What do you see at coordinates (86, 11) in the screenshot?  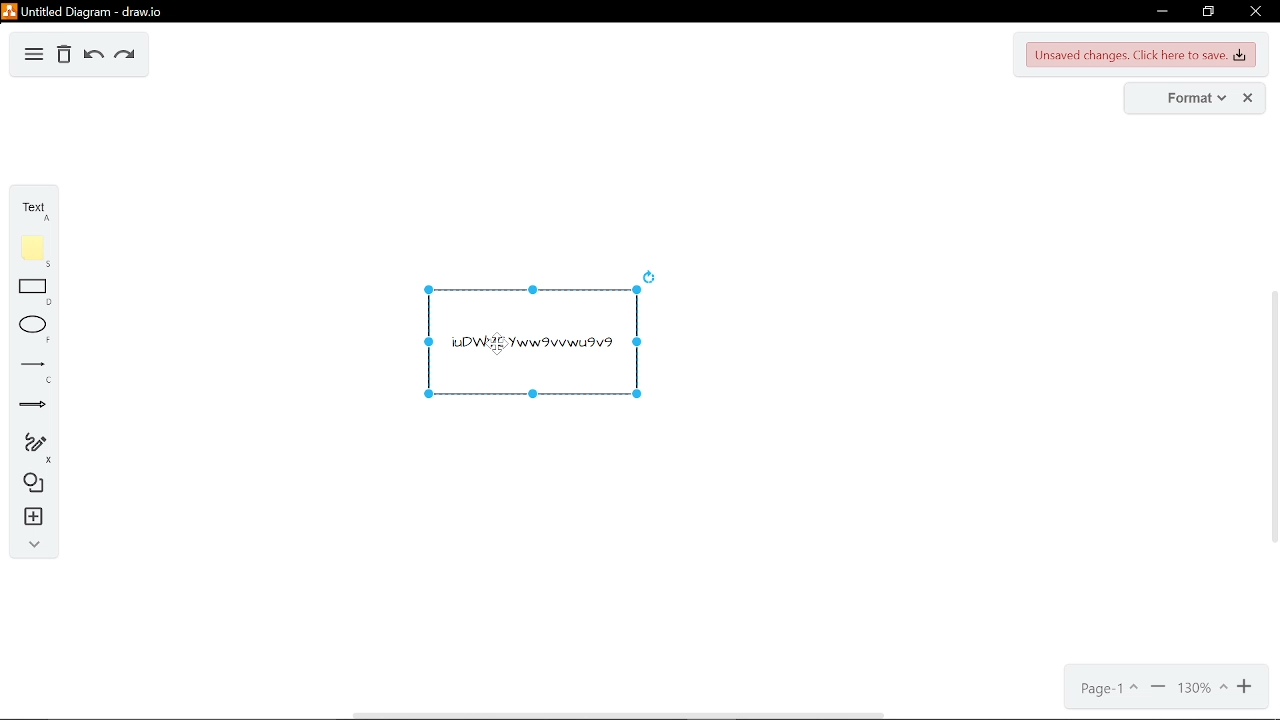 I see `Untitled Digram-draw.io` at bounding box center [86, 11].